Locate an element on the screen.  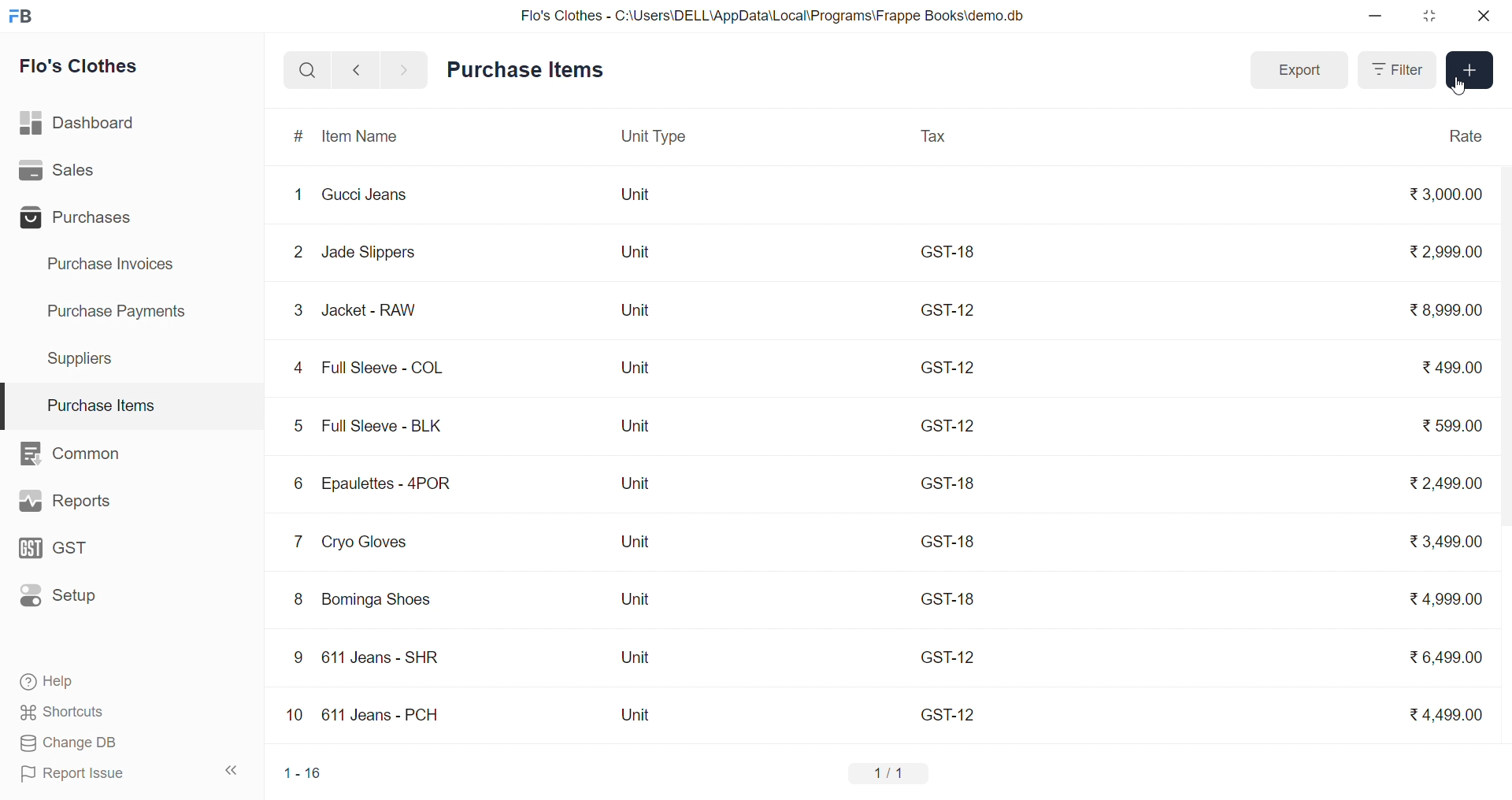
search is located at coordinates (306, 69).